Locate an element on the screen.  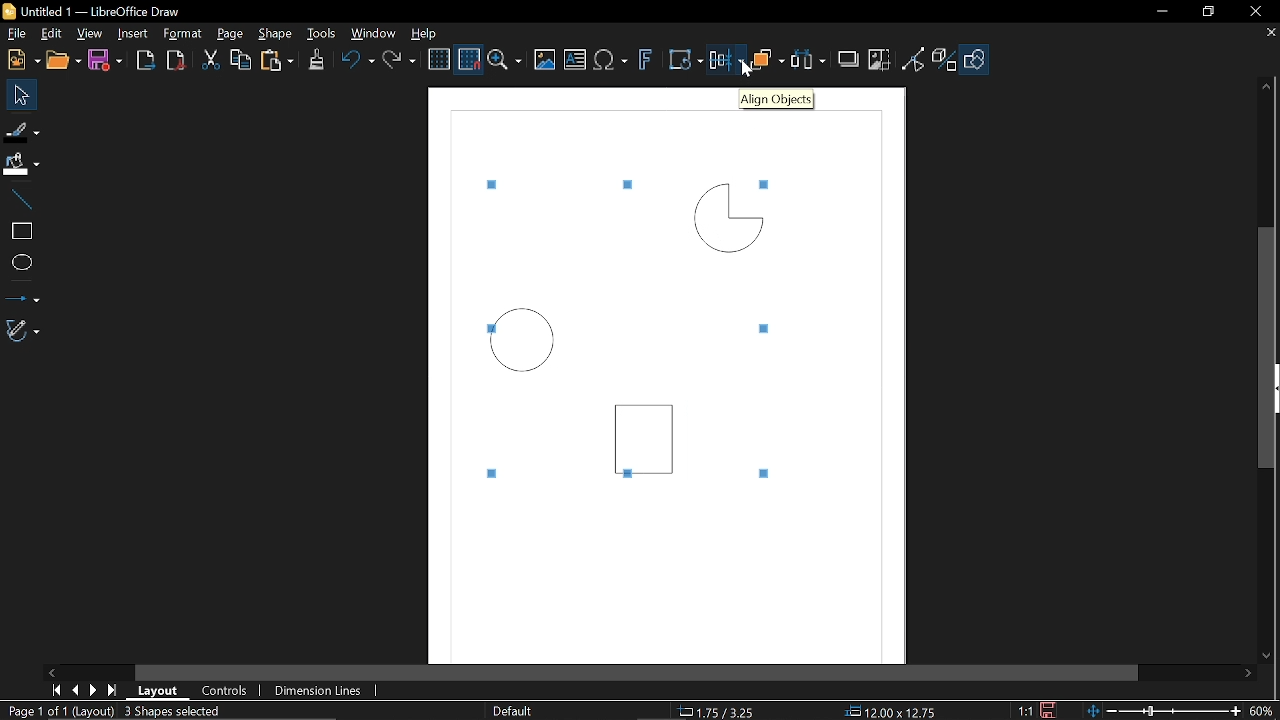
Rectangle is located at coordinates (18, 229).